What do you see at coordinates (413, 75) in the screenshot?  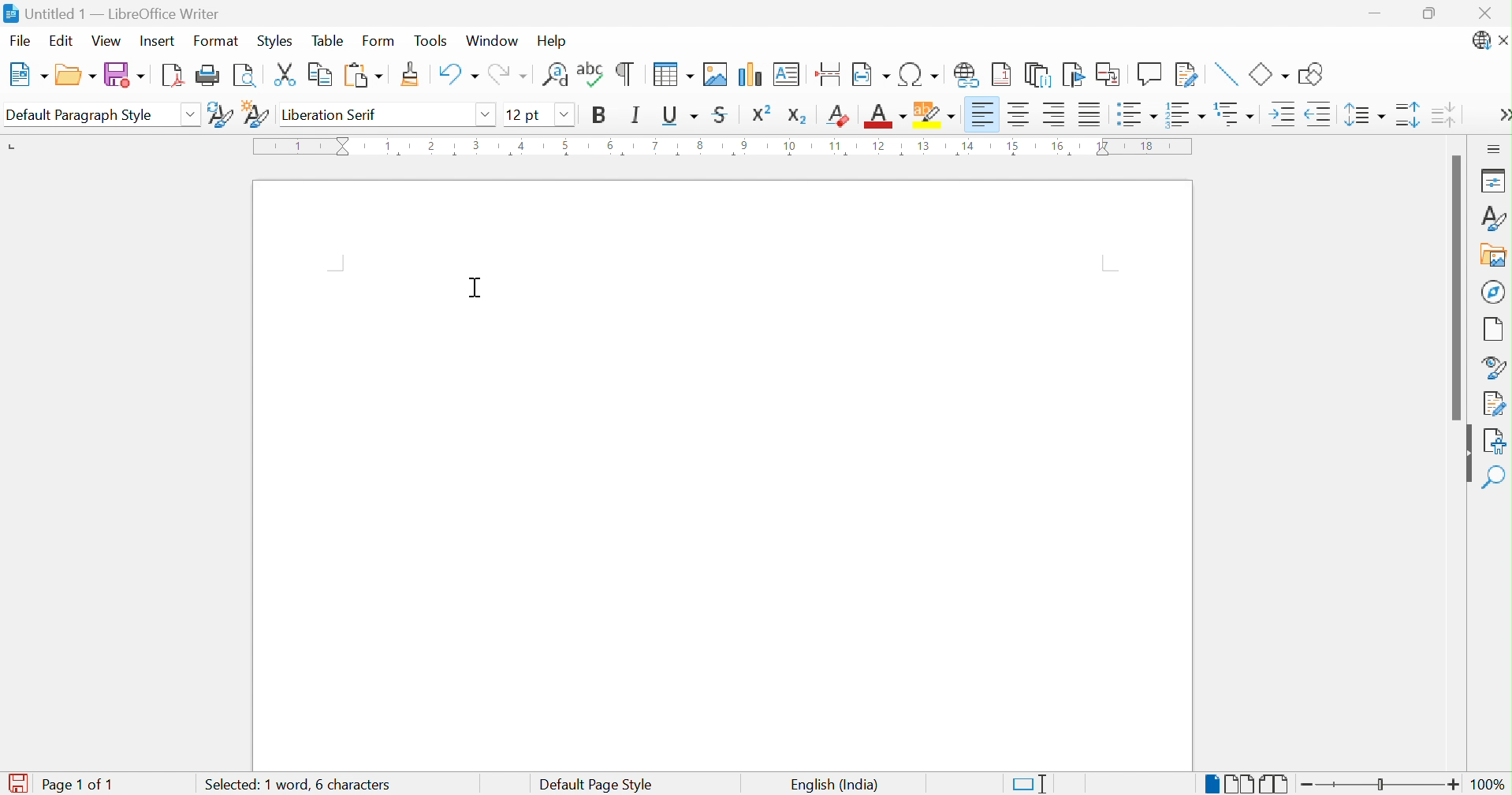 I see `Clone Formatting` at bounding box center [413, 75].